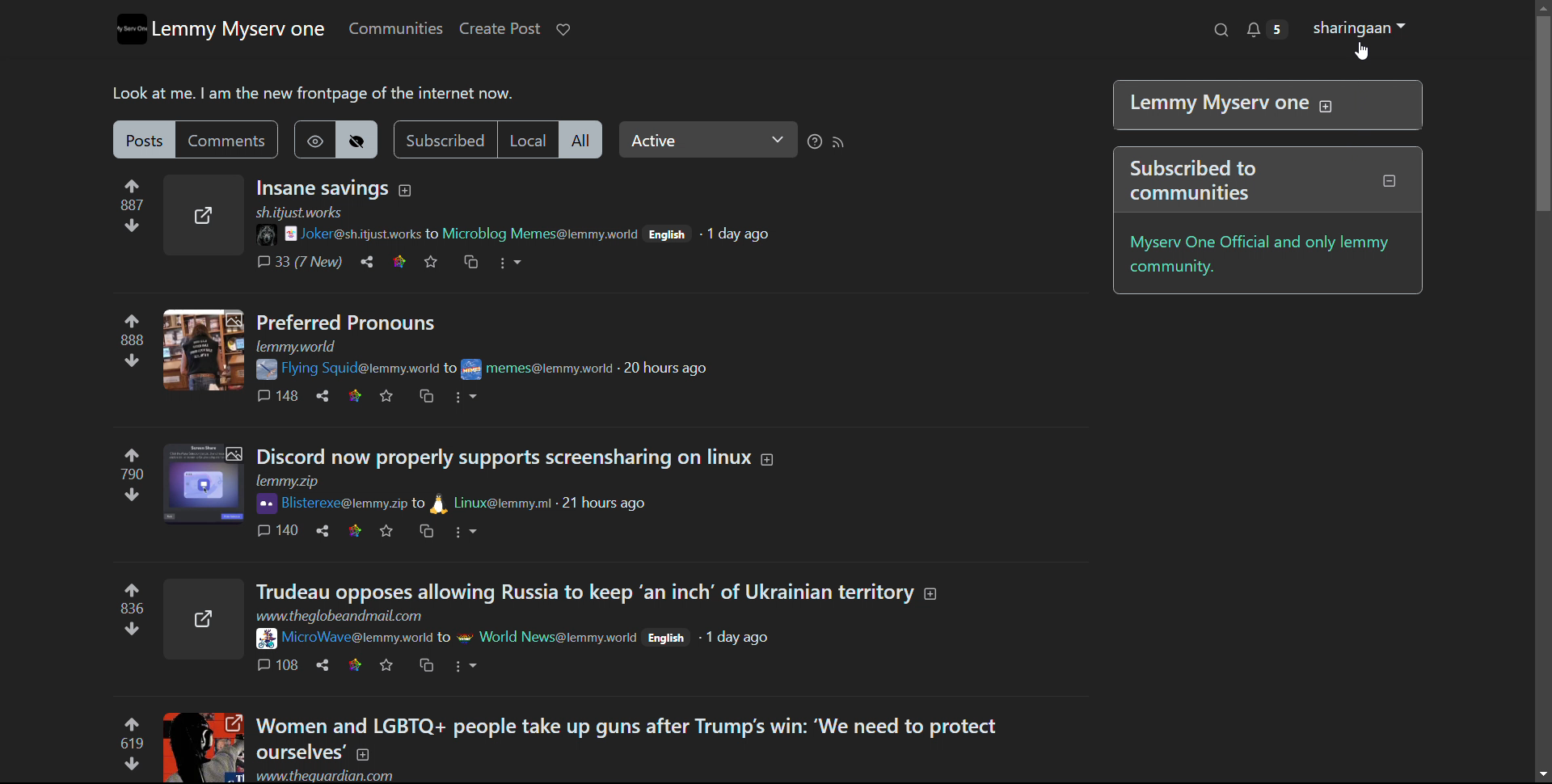  I want to click on options, so click(466, 532).